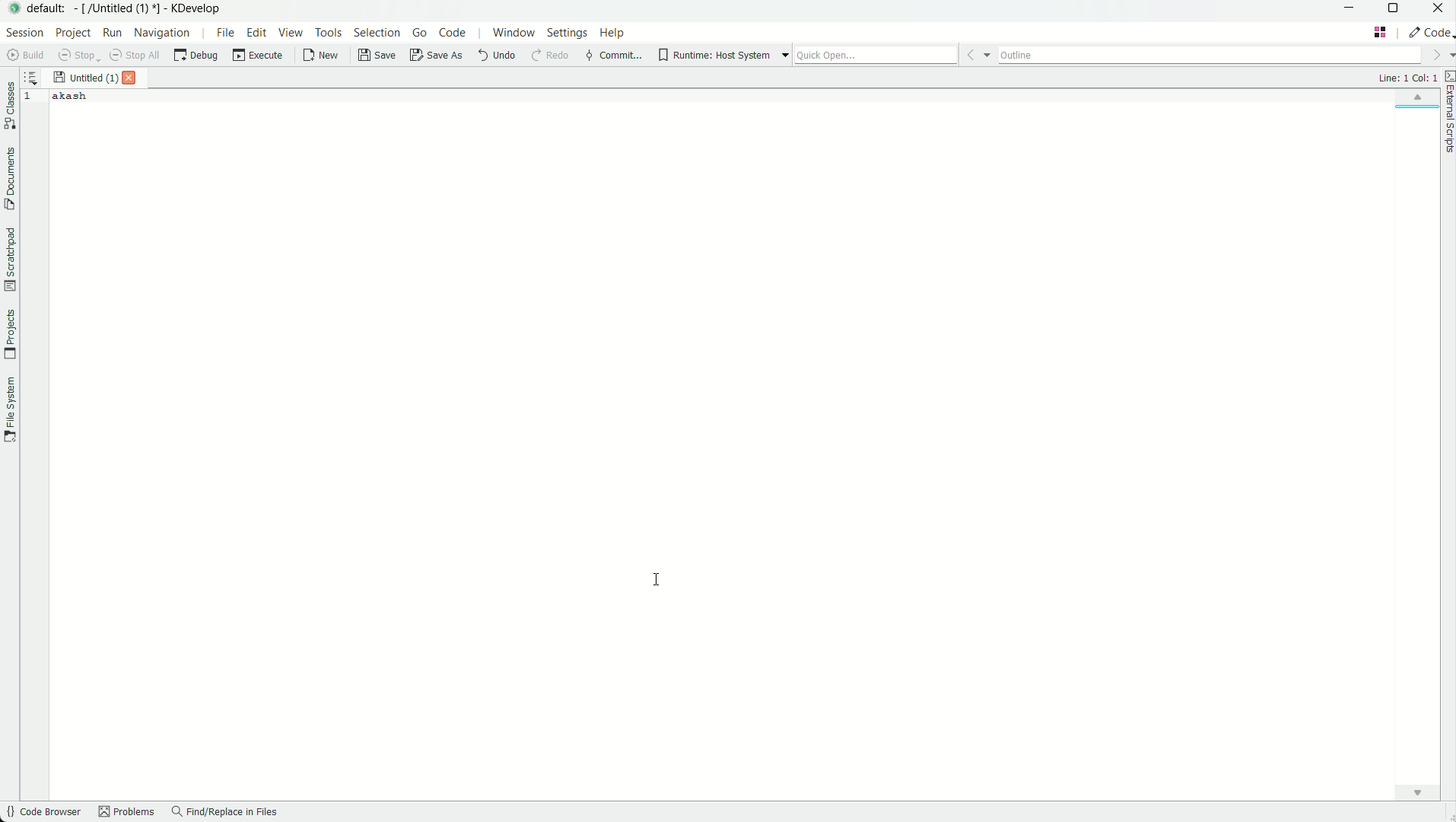 The image size is (1456, 822). What do you see at coordinates (421, 33) in the screenshot?
I see `go menu` at bounding box center [421, 33].